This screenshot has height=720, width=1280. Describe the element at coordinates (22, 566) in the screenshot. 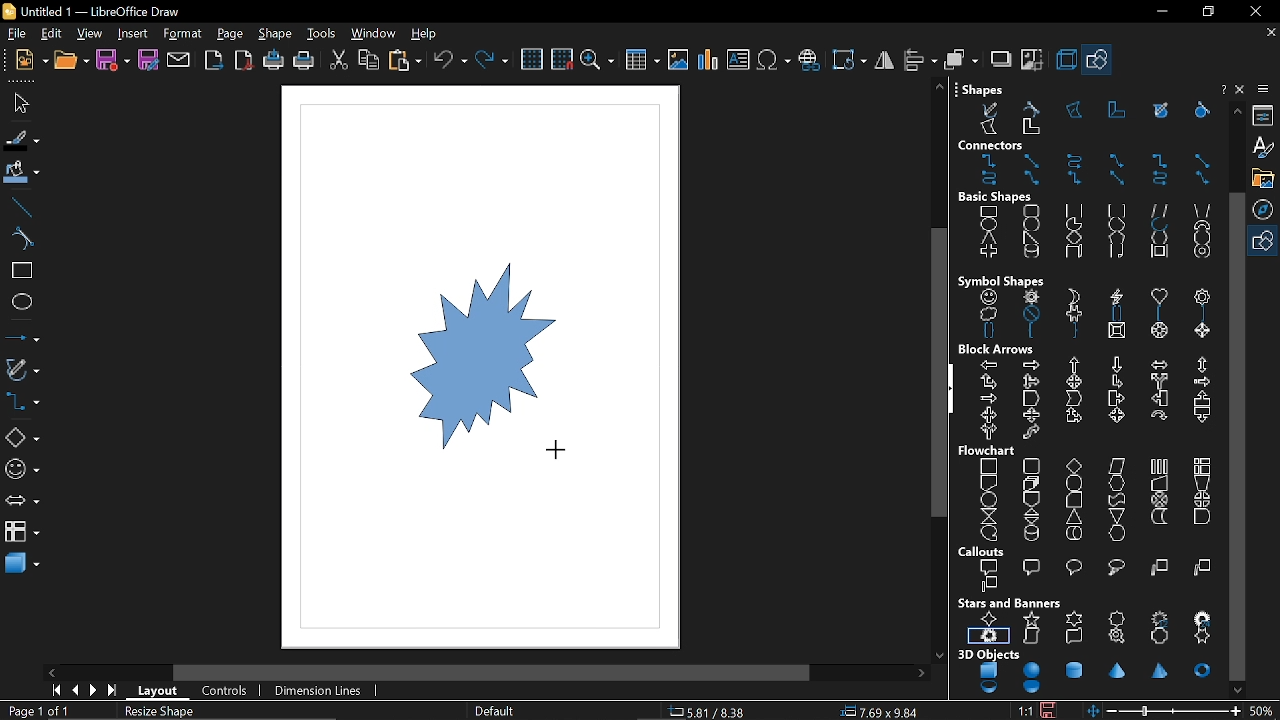

I see `3d shapes` at that location.